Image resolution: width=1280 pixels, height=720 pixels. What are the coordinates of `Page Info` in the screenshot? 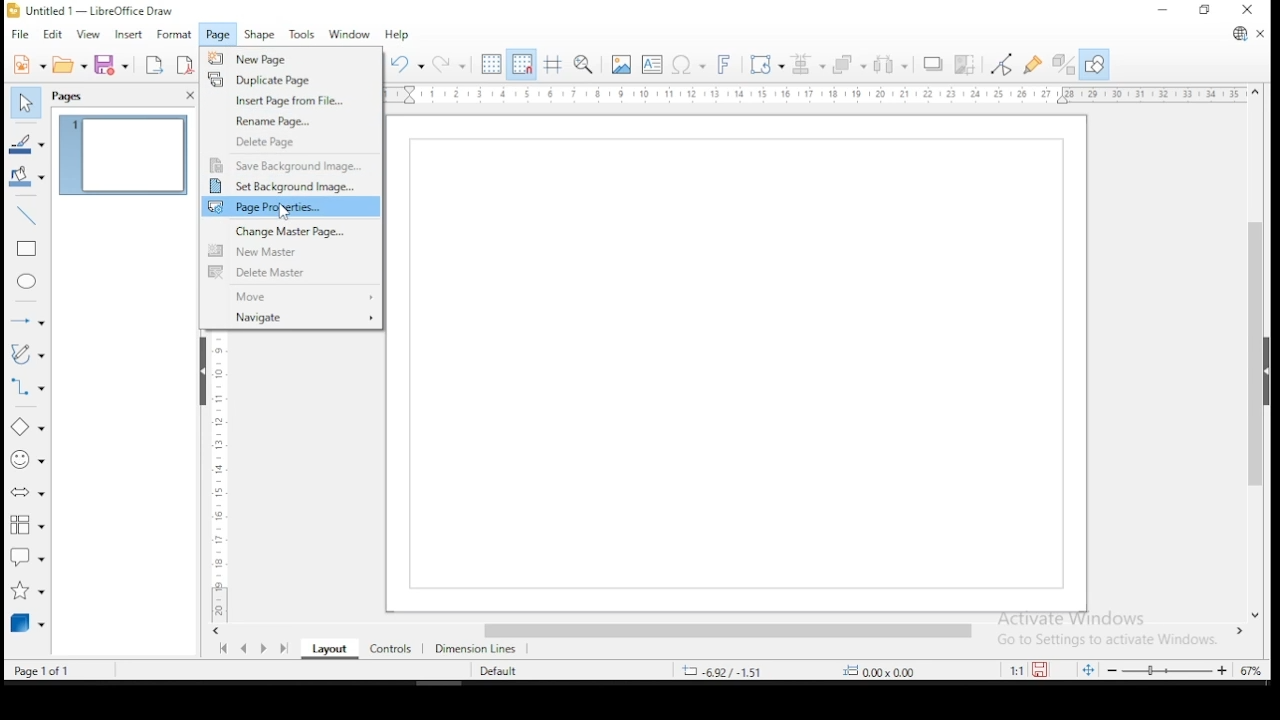 It's located at (57, 670).